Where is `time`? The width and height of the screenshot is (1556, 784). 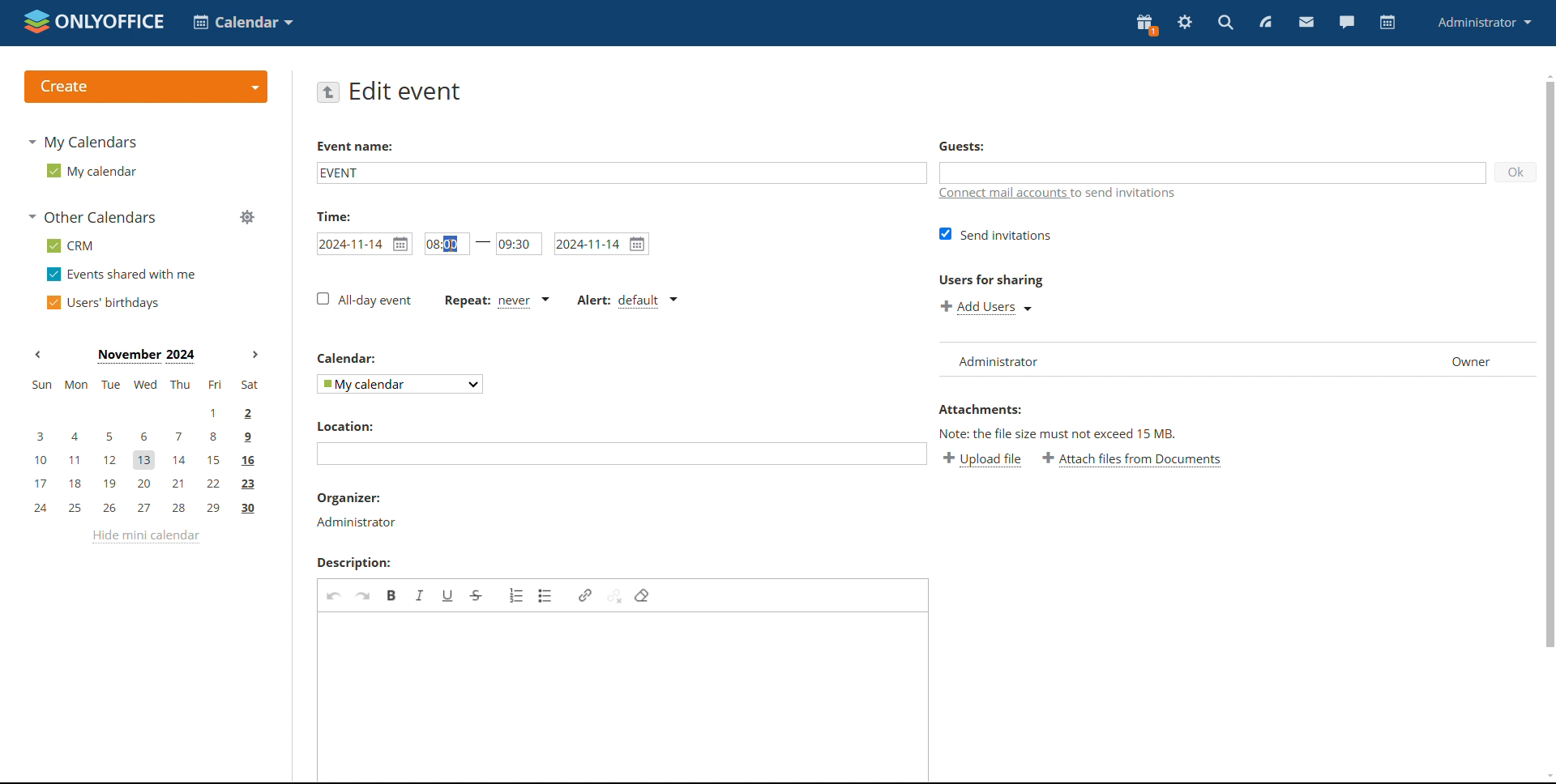 time is located at coordinates (333, 215).